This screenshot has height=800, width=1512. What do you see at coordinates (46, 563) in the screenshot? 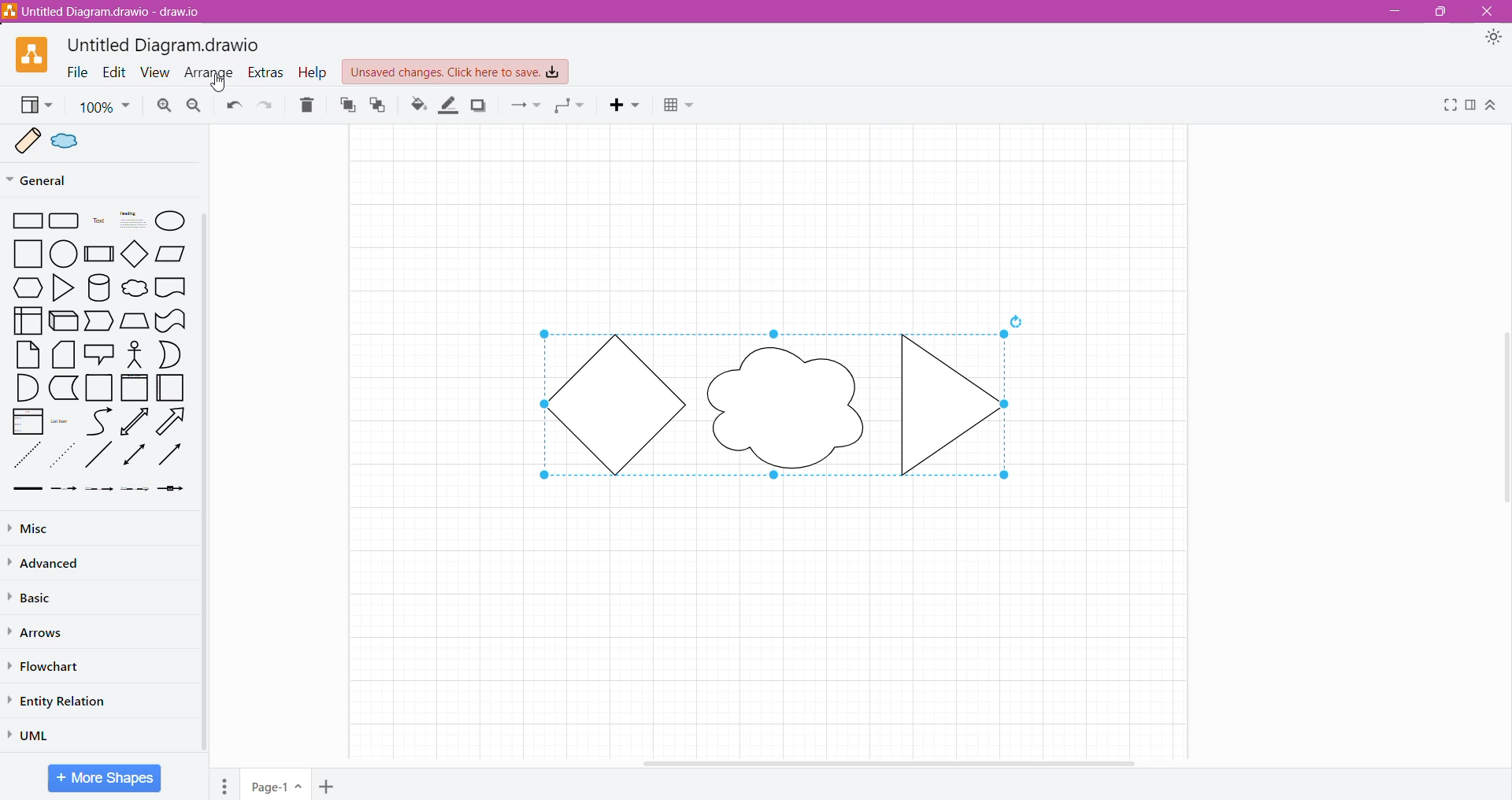
I see `Advanced` at bounding box center [46, 563].